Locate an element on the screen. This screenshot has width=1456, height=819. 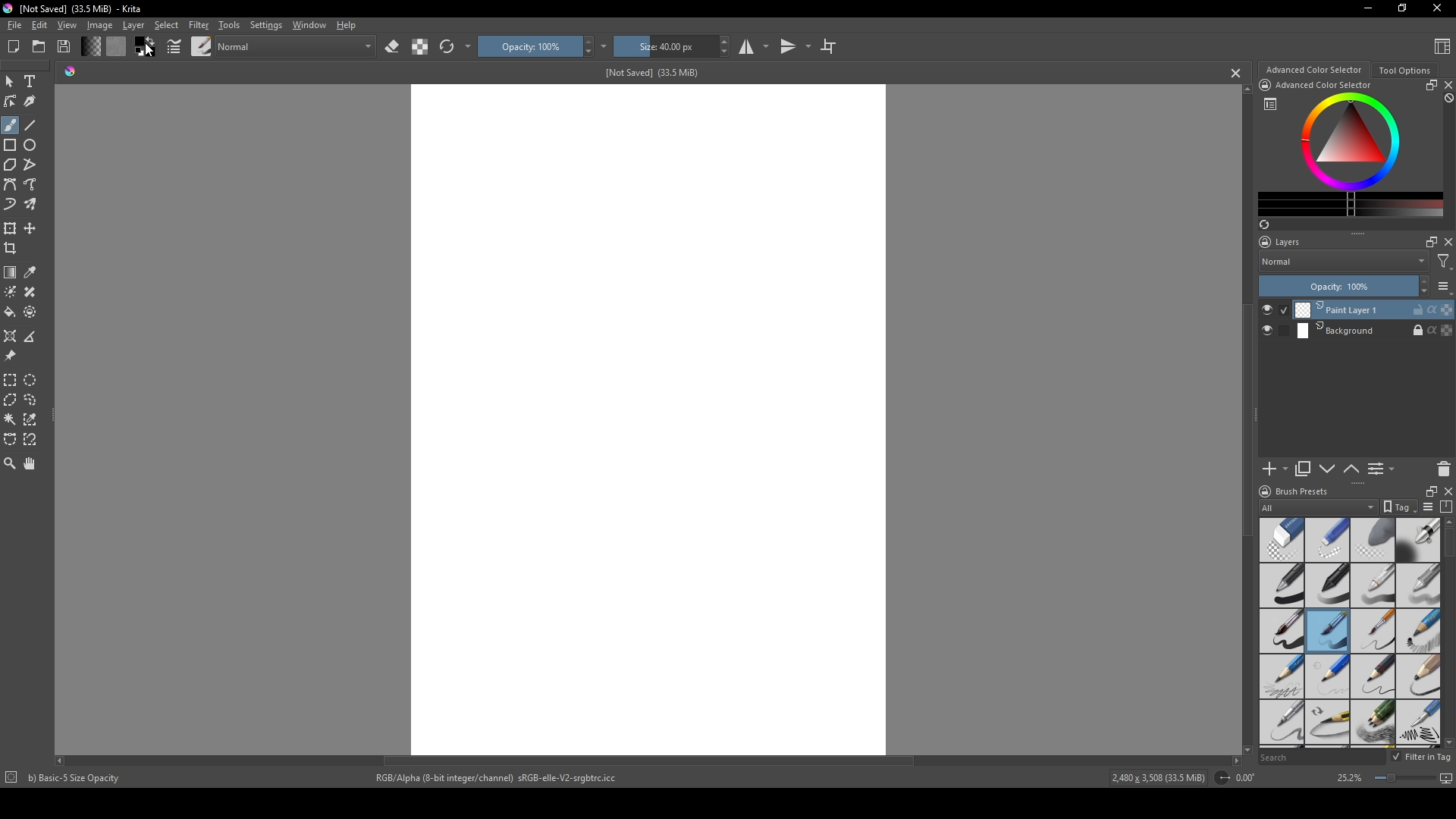
scroll left is located at coordinates (63, 761).